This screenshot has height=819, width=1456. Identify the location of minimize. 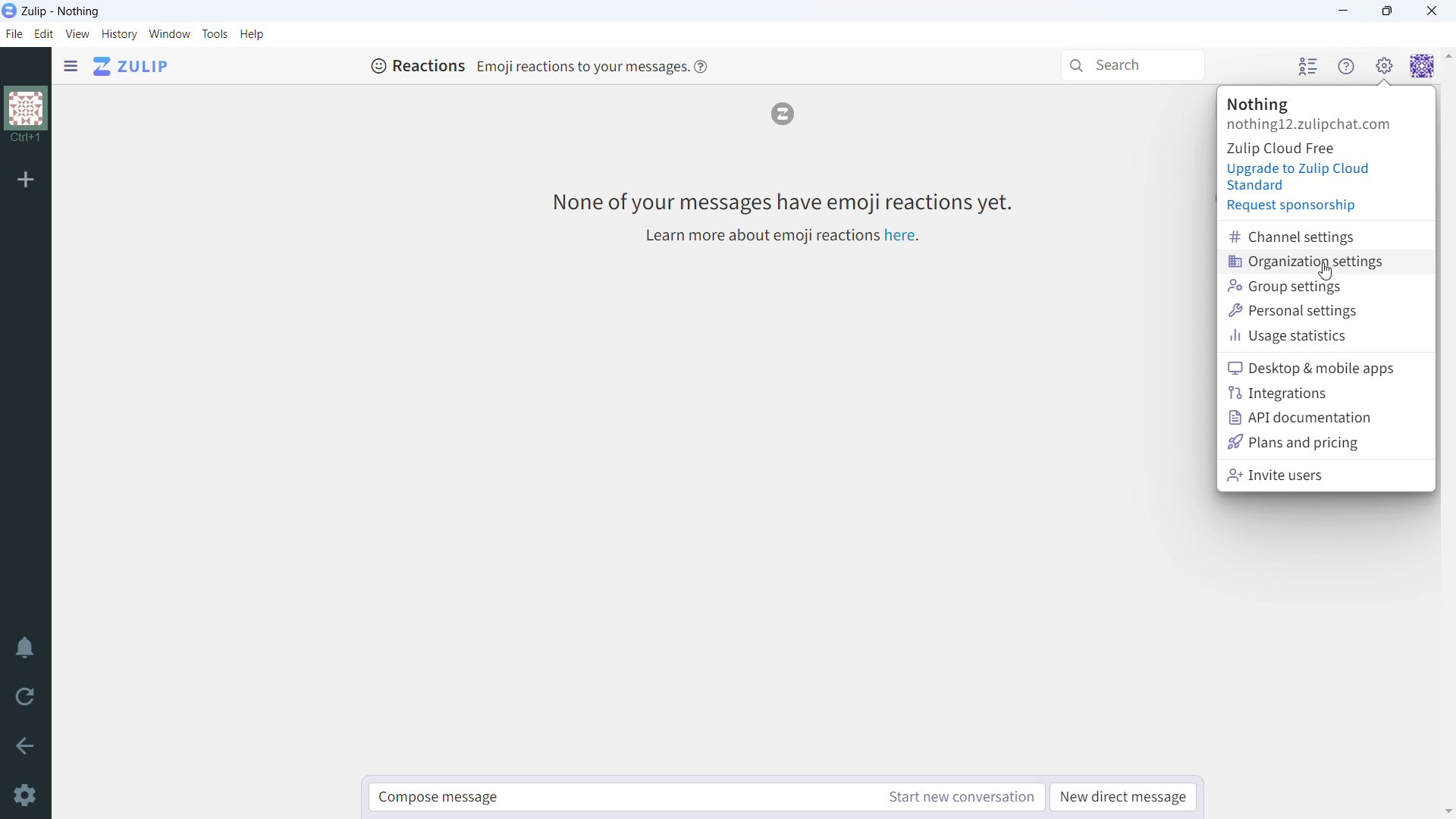
(1345, 11).